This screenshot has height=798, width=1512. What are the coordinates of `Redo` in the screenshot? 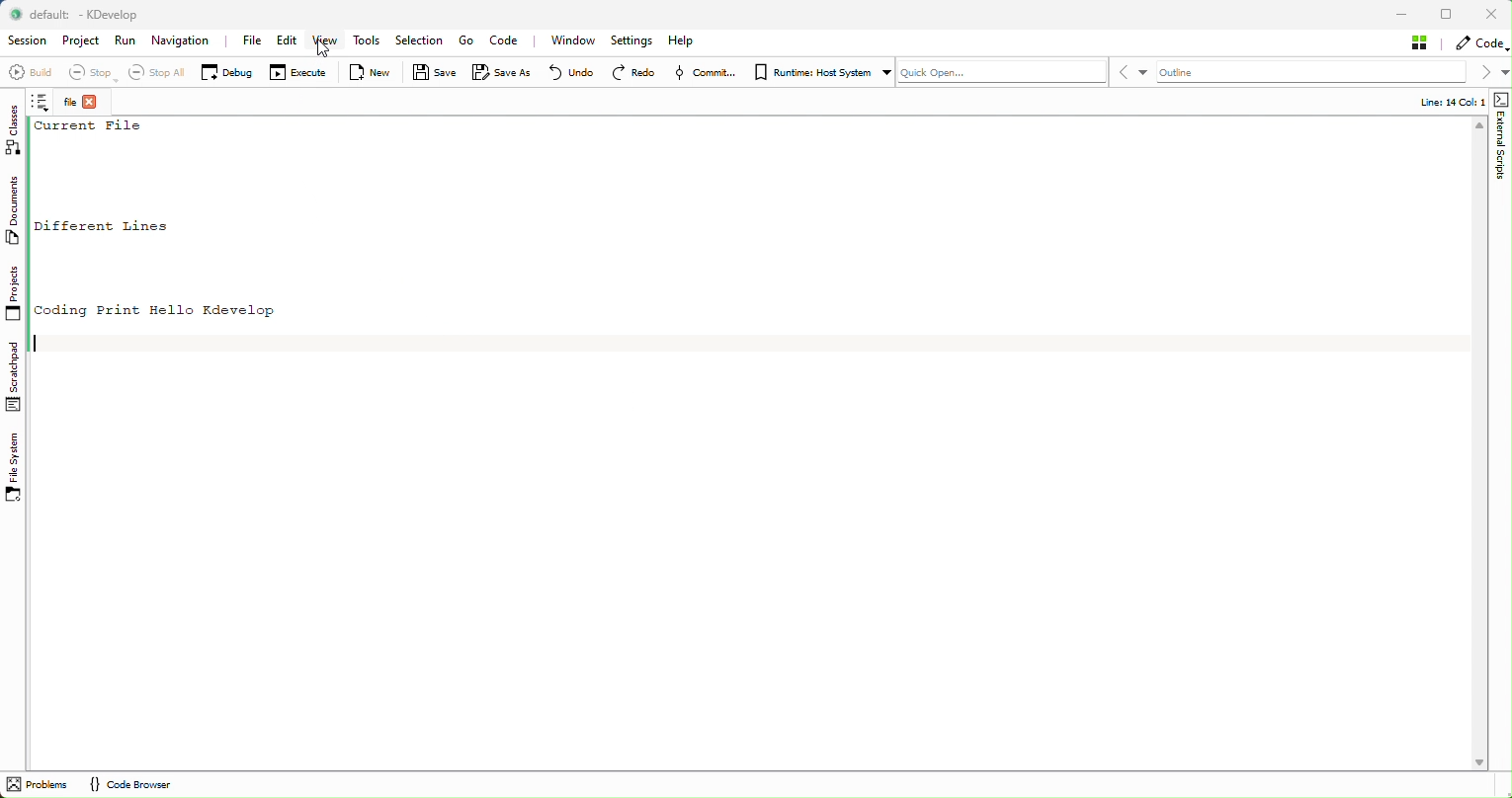 It's located at (636, 72).